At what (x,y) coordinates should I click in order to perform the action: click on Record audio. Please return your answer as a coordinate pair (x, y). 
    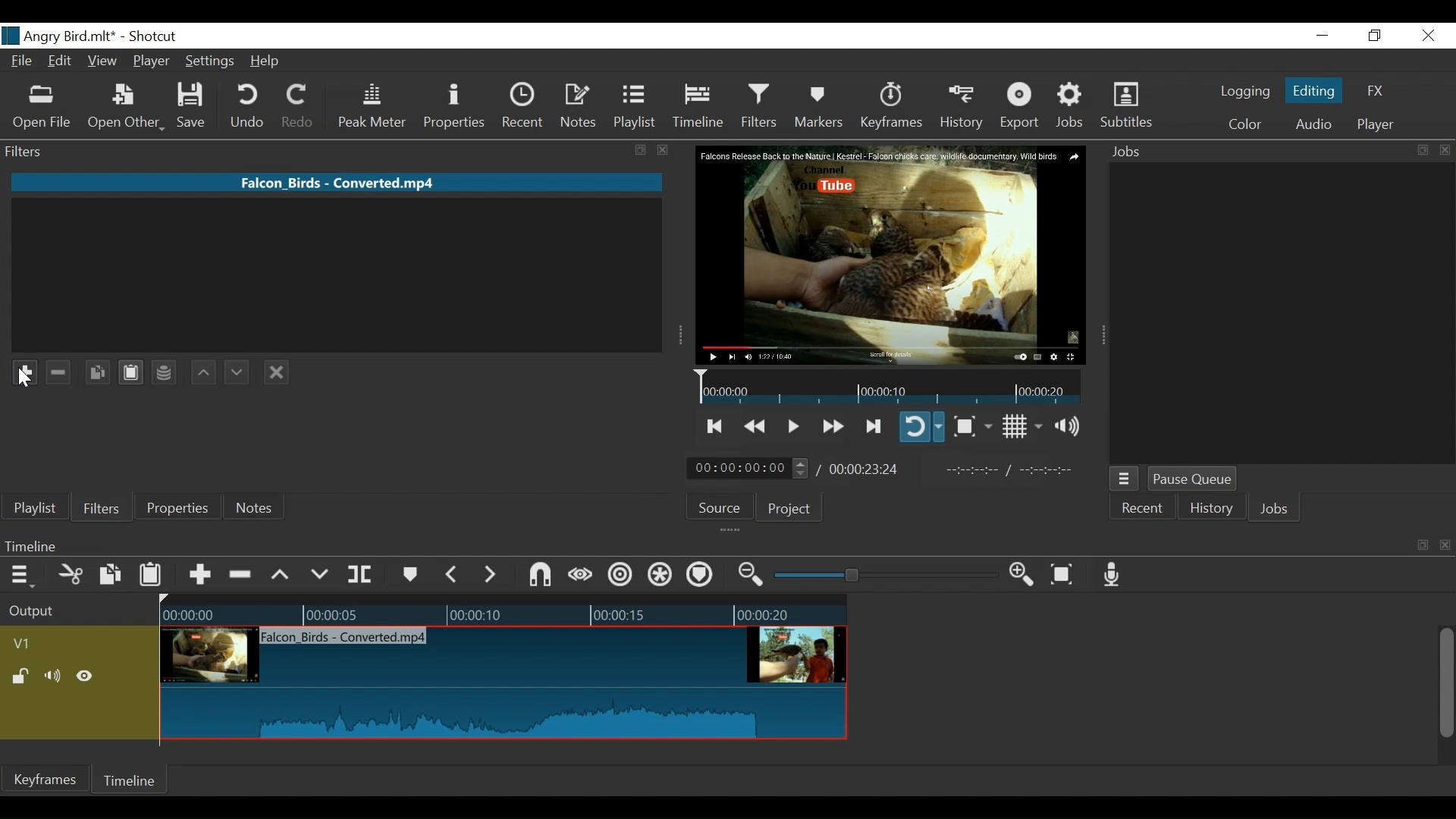
    Looking at the image, I should click on (1112, 574).